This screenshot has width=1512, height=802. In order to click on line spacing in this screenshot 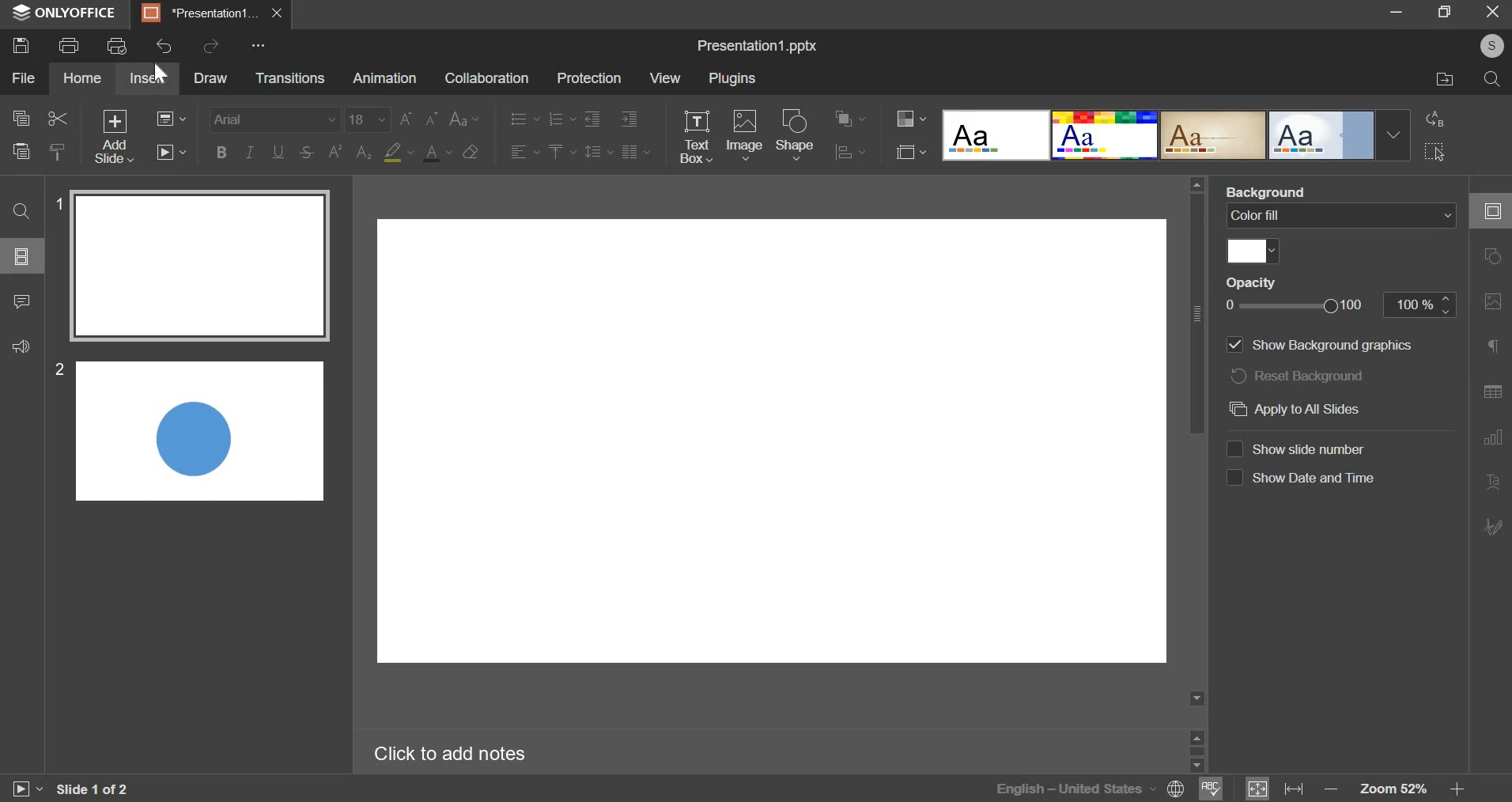, I will do `click(599, 151)`.